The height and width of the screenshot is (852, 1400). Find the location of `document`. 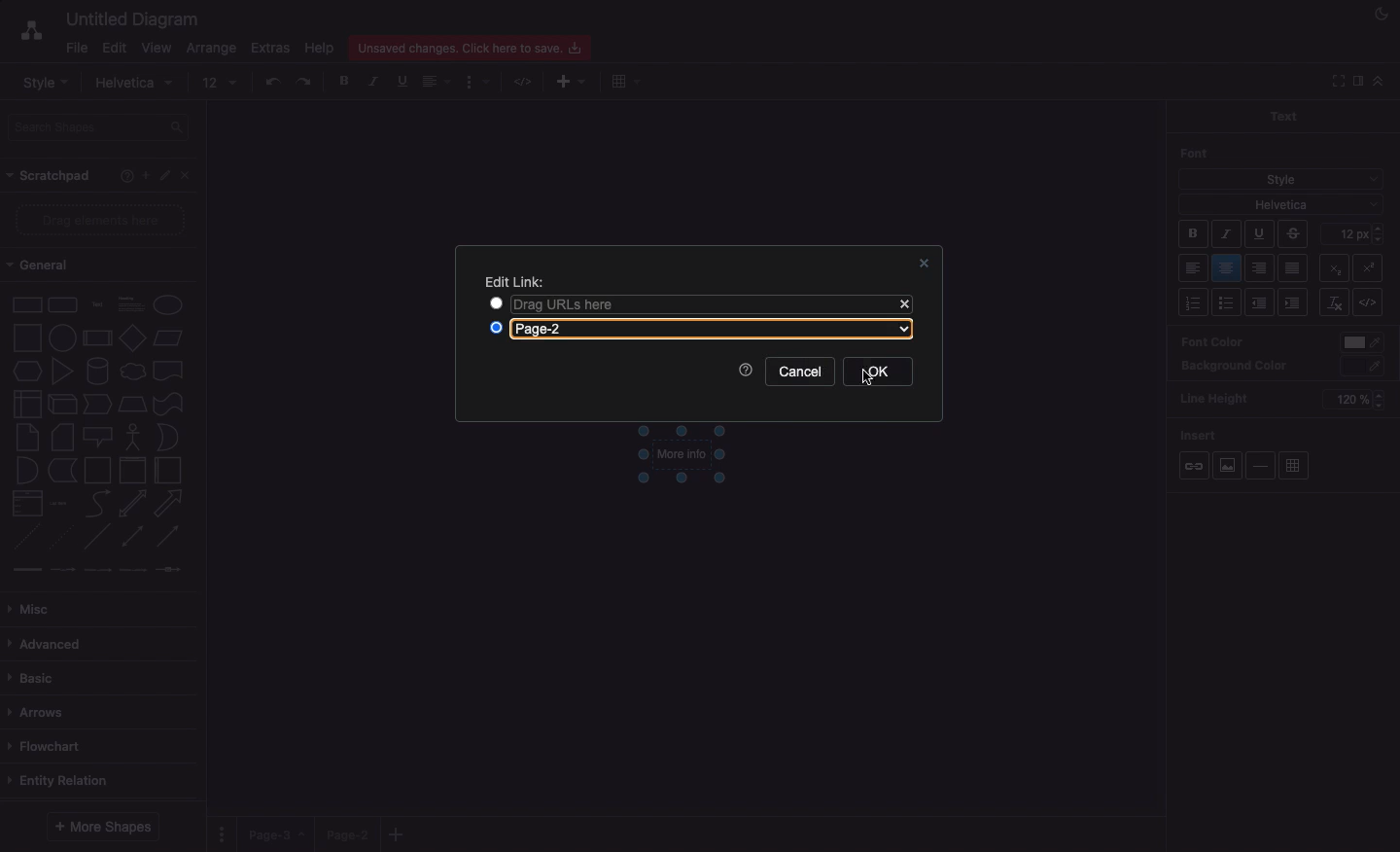

document is located at coordinates (169, 371).